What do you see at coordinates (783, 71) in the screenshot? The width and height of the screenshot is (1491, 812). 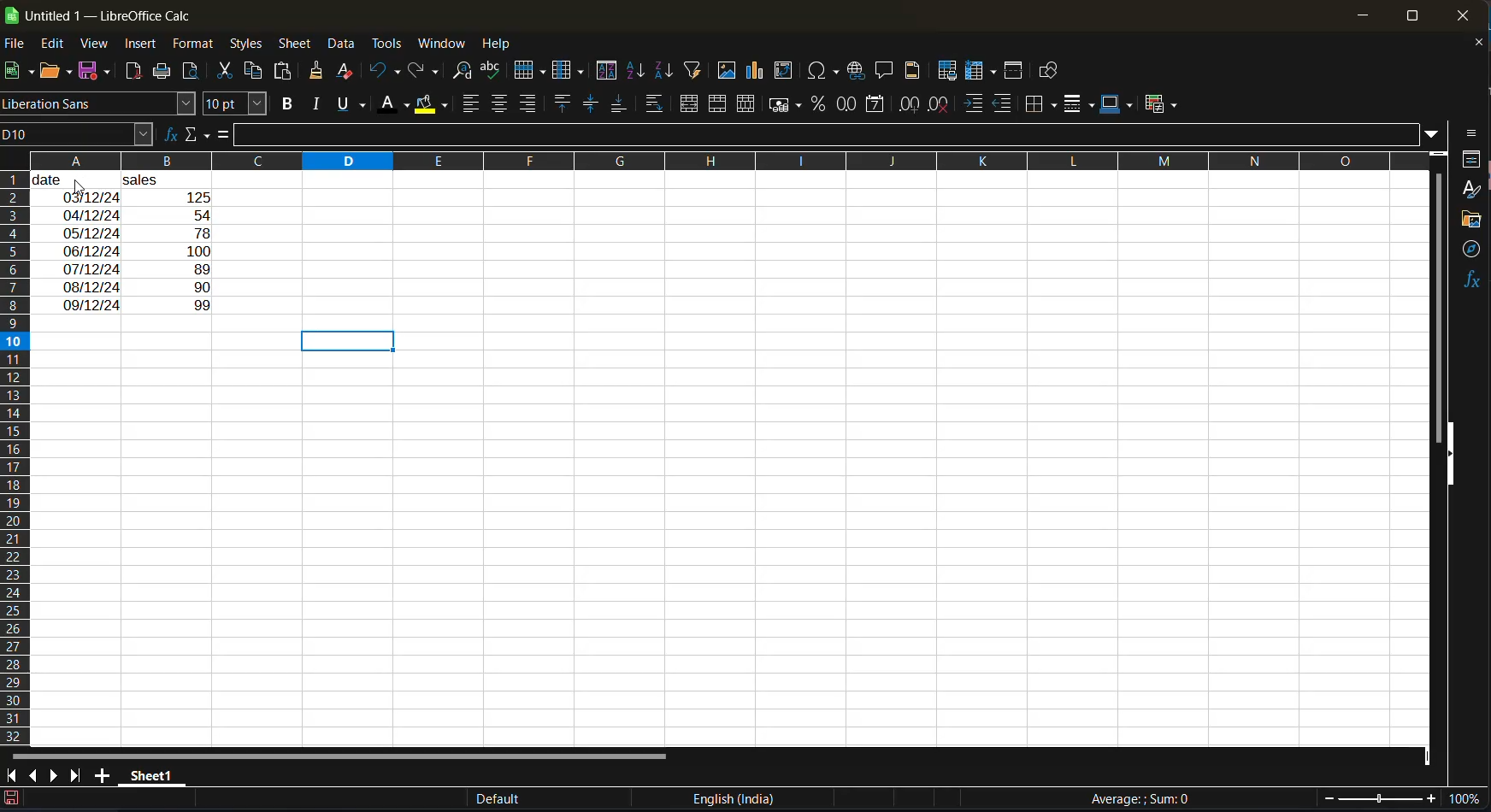 I see `insert or edit pivot table` at bounding box center [783, 71].